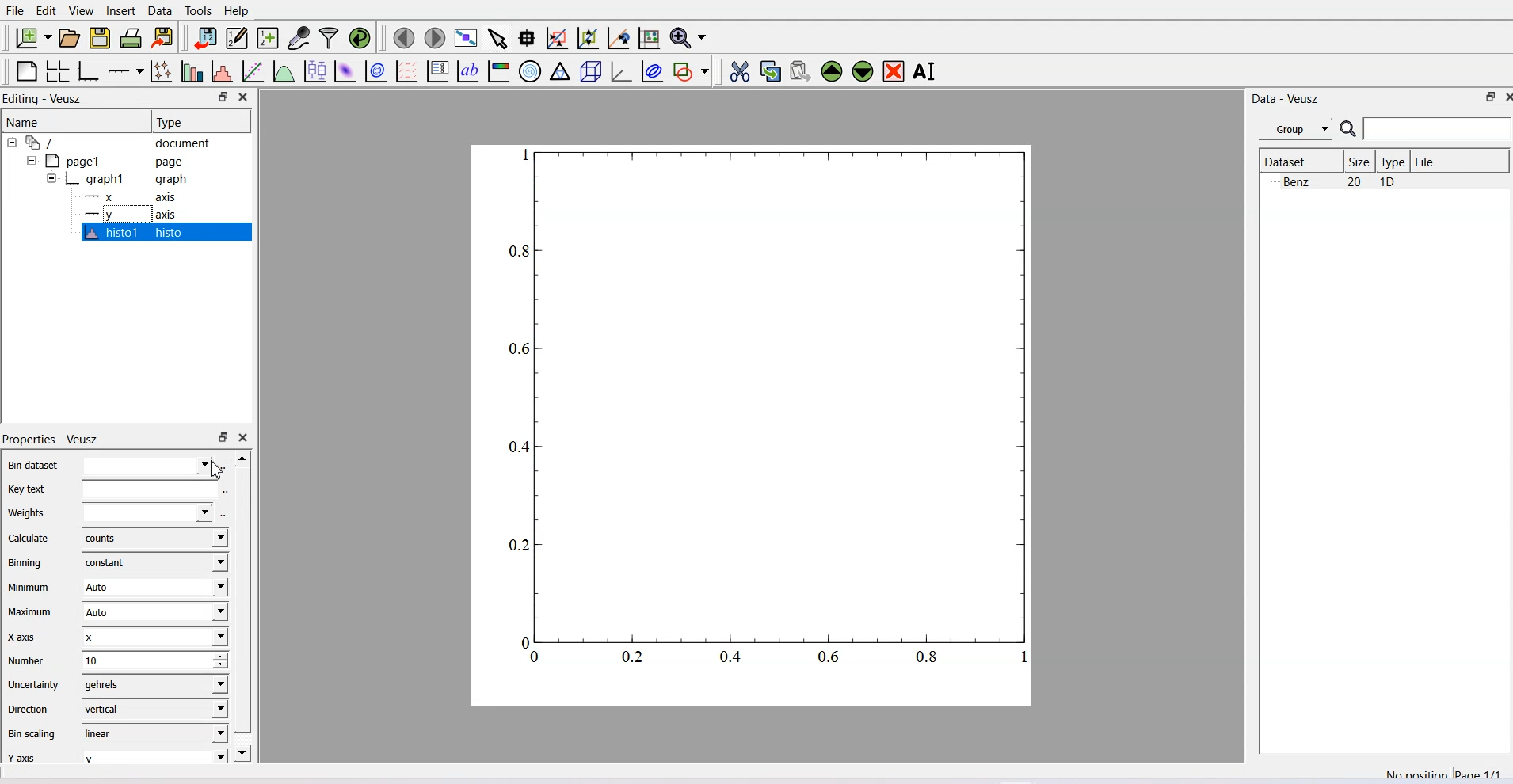 Image resolution: width=1513 pixels, height=784 pixels. I want to click on Blank Page, so click(25, 71).